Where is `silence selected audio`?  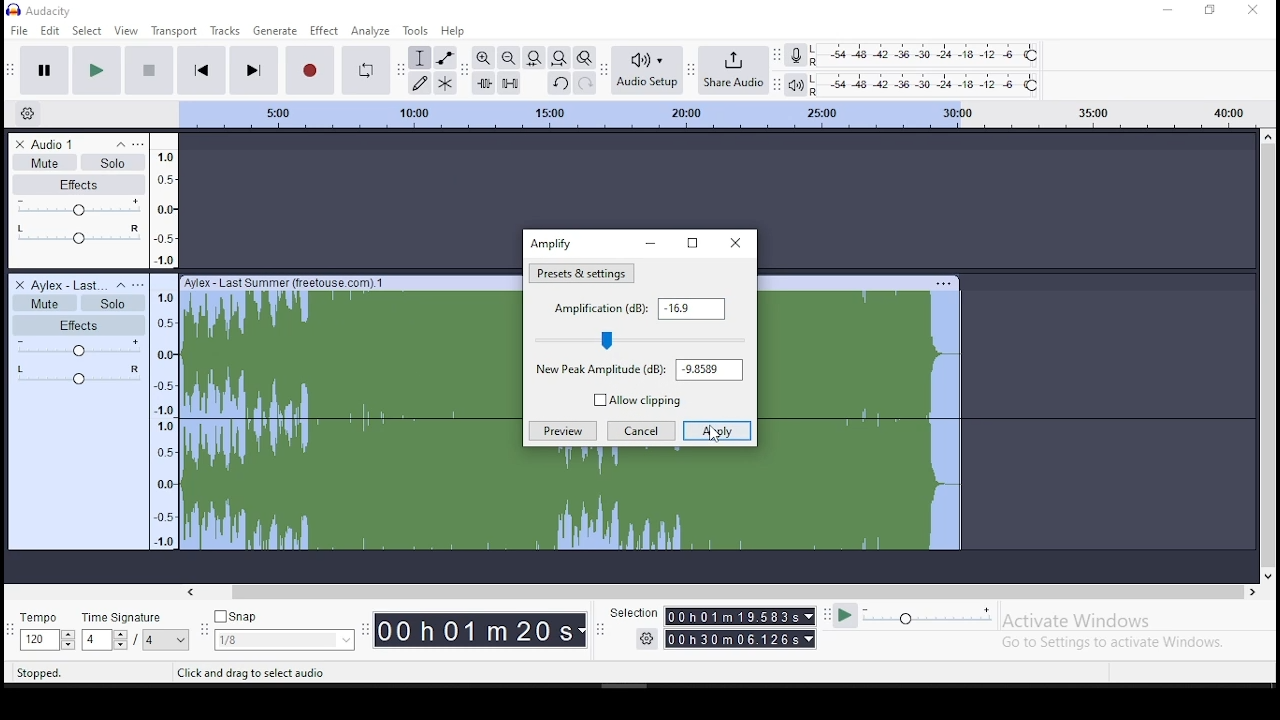
silence selected audio is located at coordinates (510, 83).